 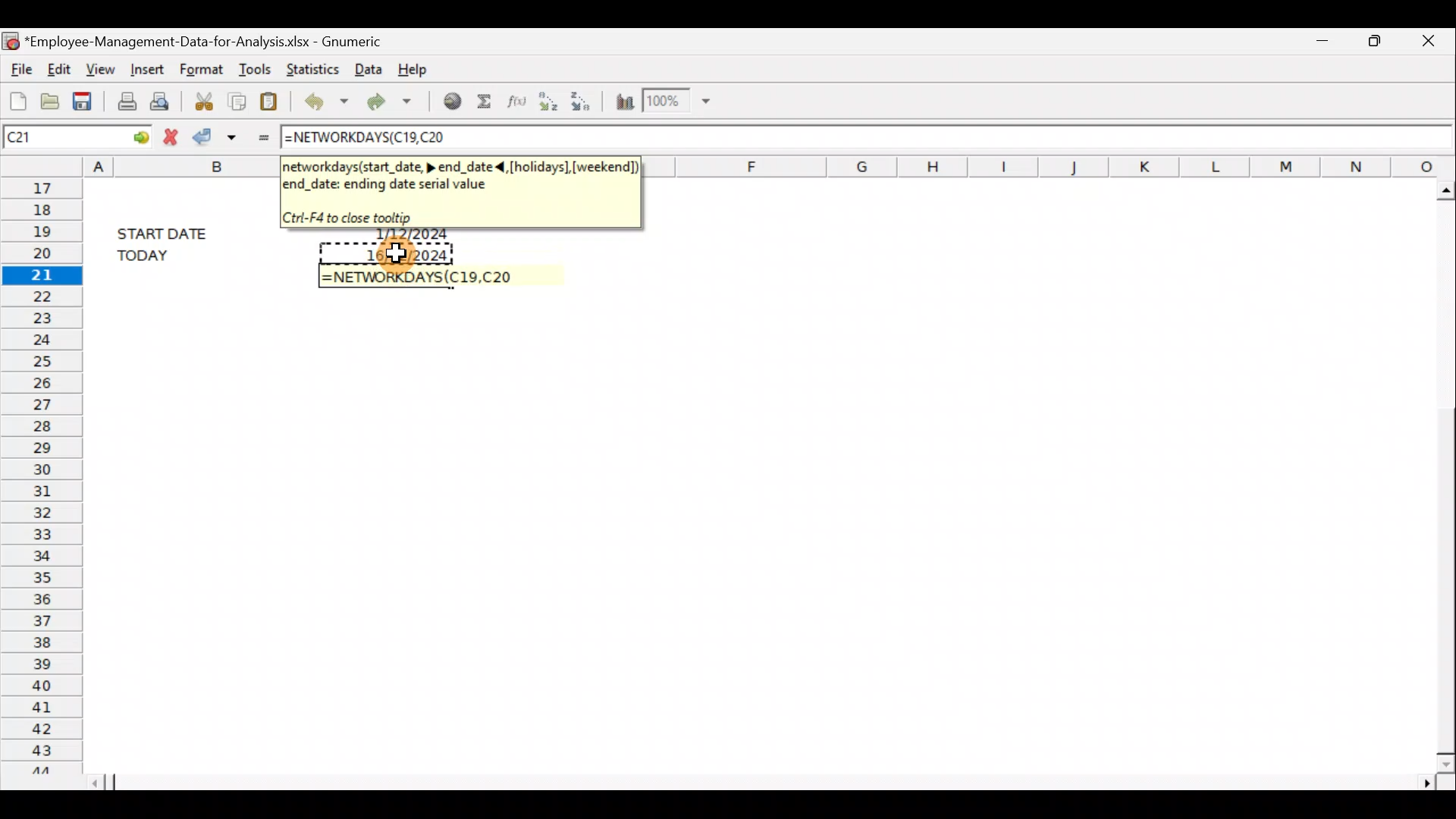 What do you see at coordinates (272, 99) in the screenshot?
I see `Paste the clipboard` at bounding box center [272, 99].